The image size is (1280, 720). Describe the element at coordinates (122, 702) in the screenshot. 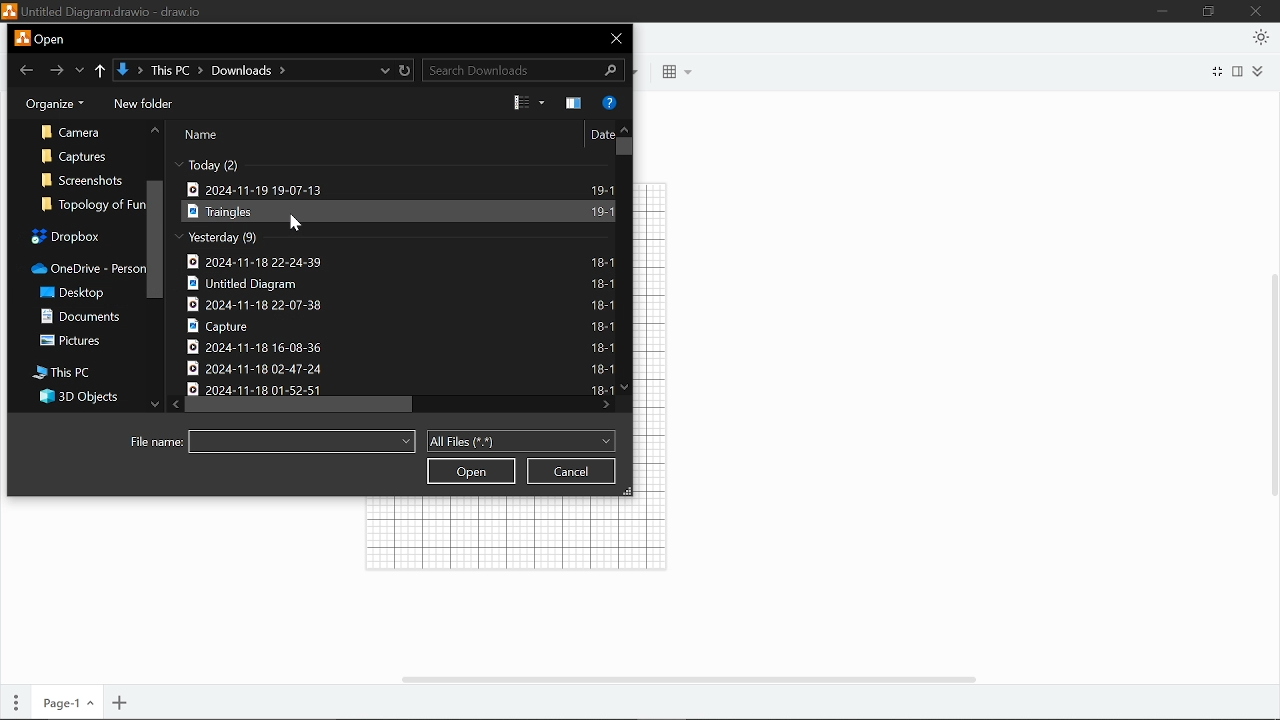

I see `Add page` at that location.